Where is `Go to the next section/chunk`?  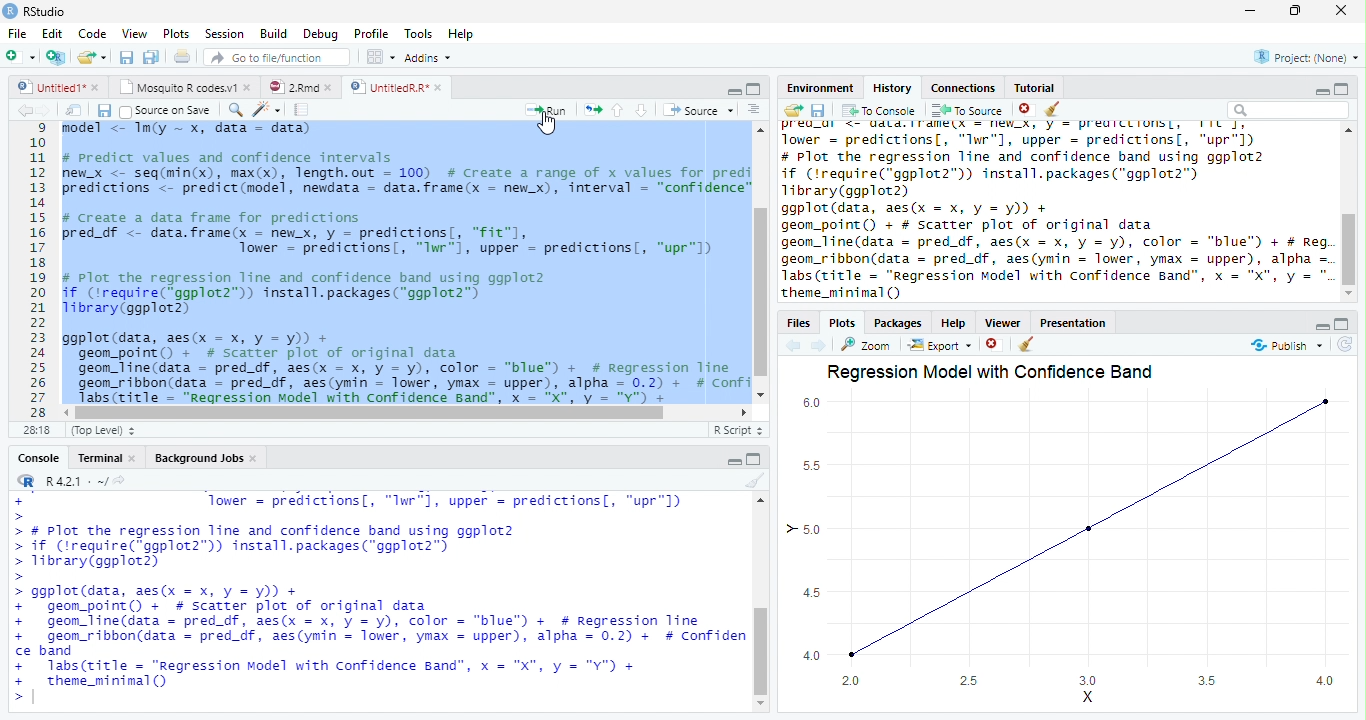
Go to the next section/chunk is located at coordinates (642, 111).